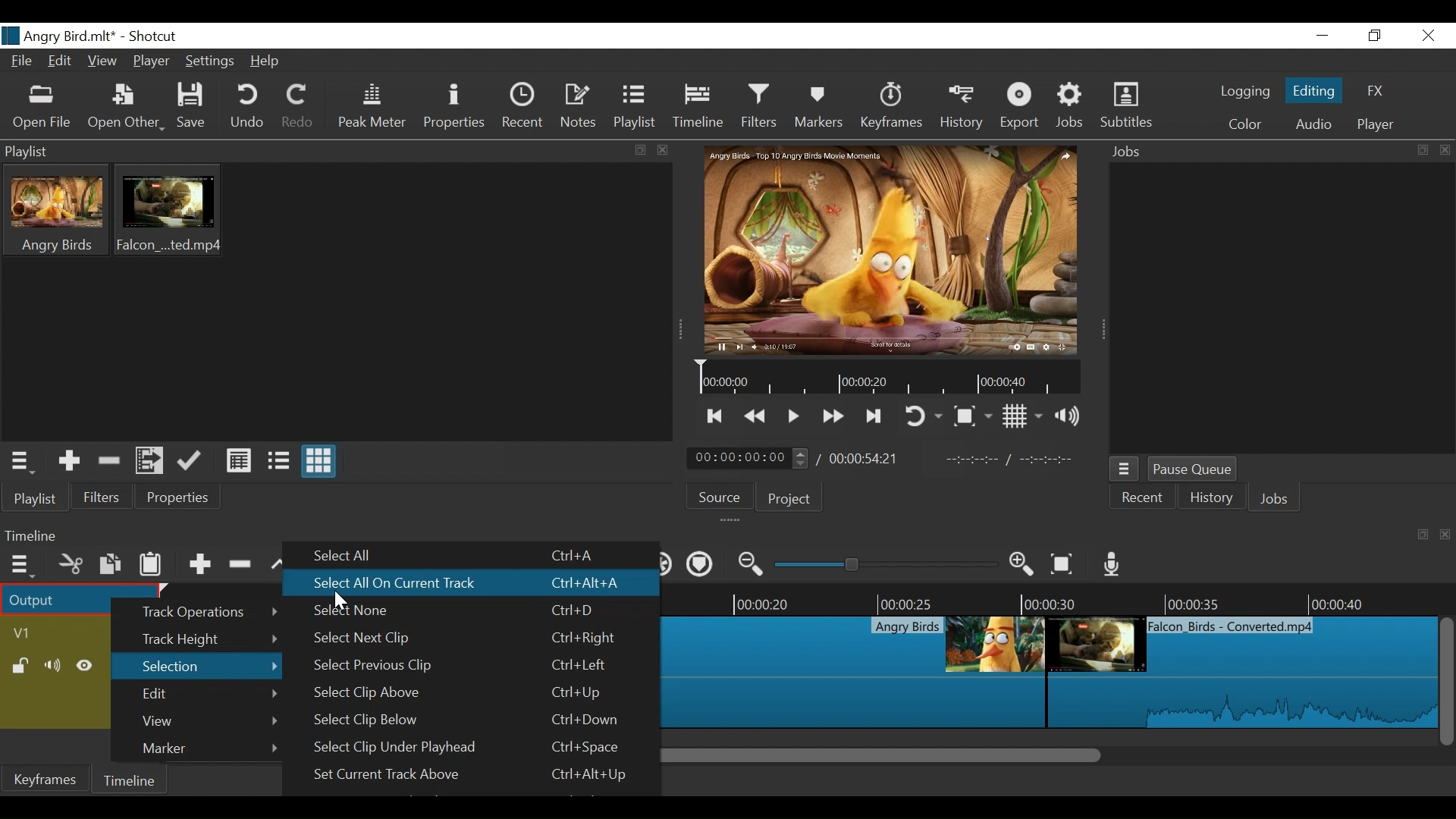  Describe the element at coordinates (456, 107) in the screenshot. I see `Properties` at that location.